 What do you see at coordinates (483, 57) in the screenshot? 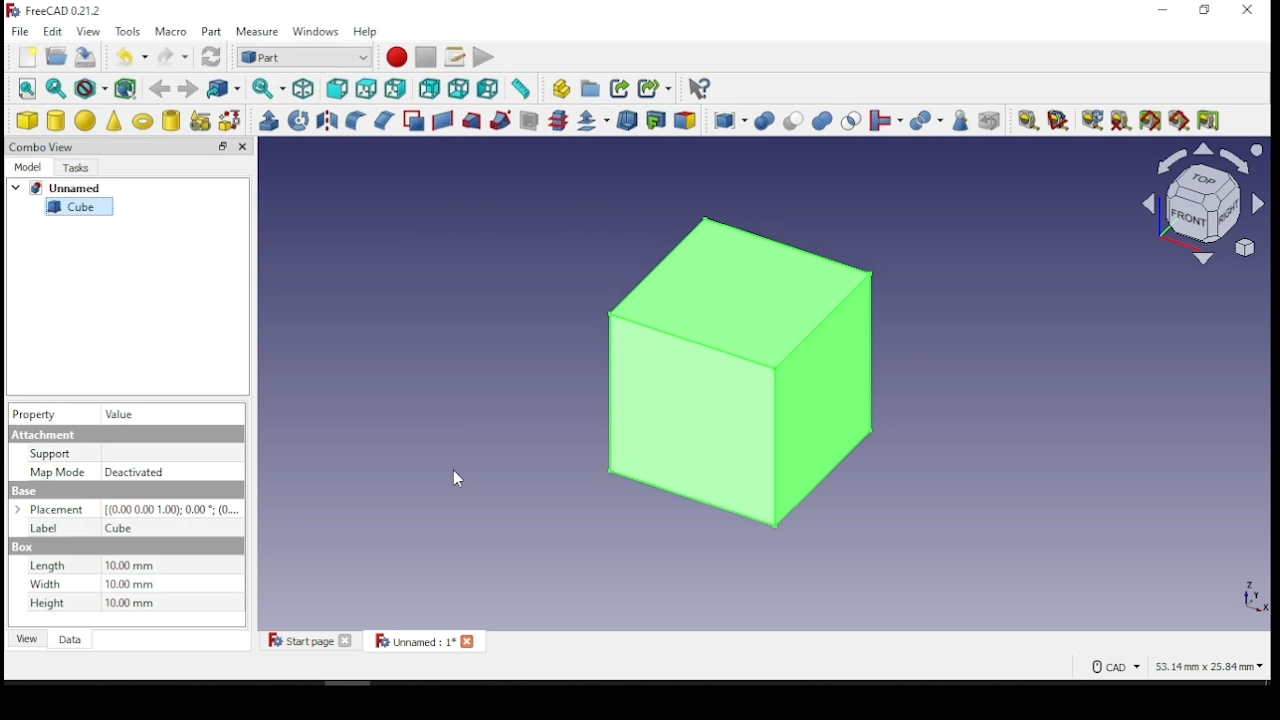
I see `execute macro` at bounding box center [483, 57].